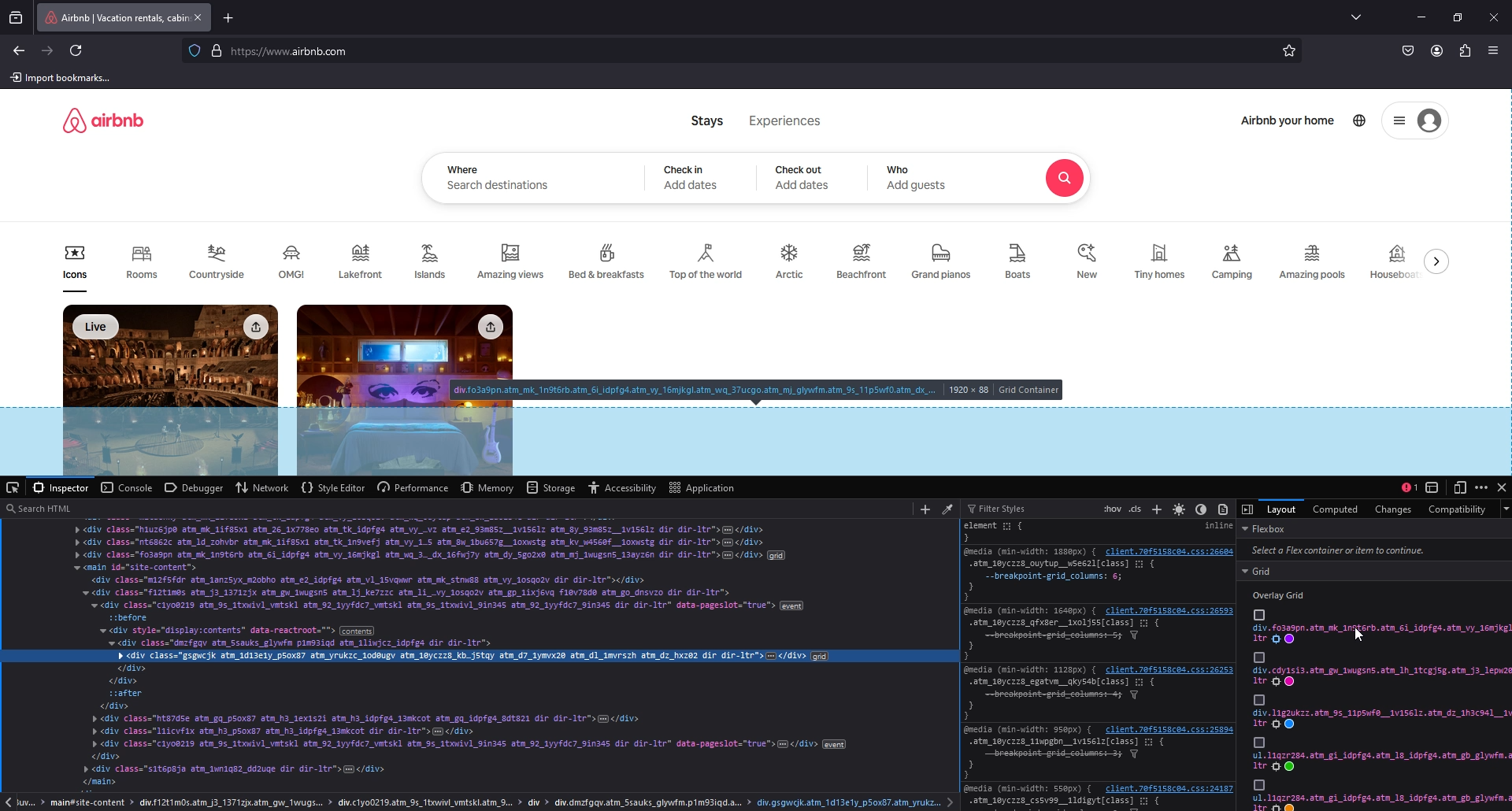 This screenshot has height=811, width=1512. What do you see at coordinates (1032, 610) in the screenshot?
I see `media query ` at bounding box center [1032, 610].